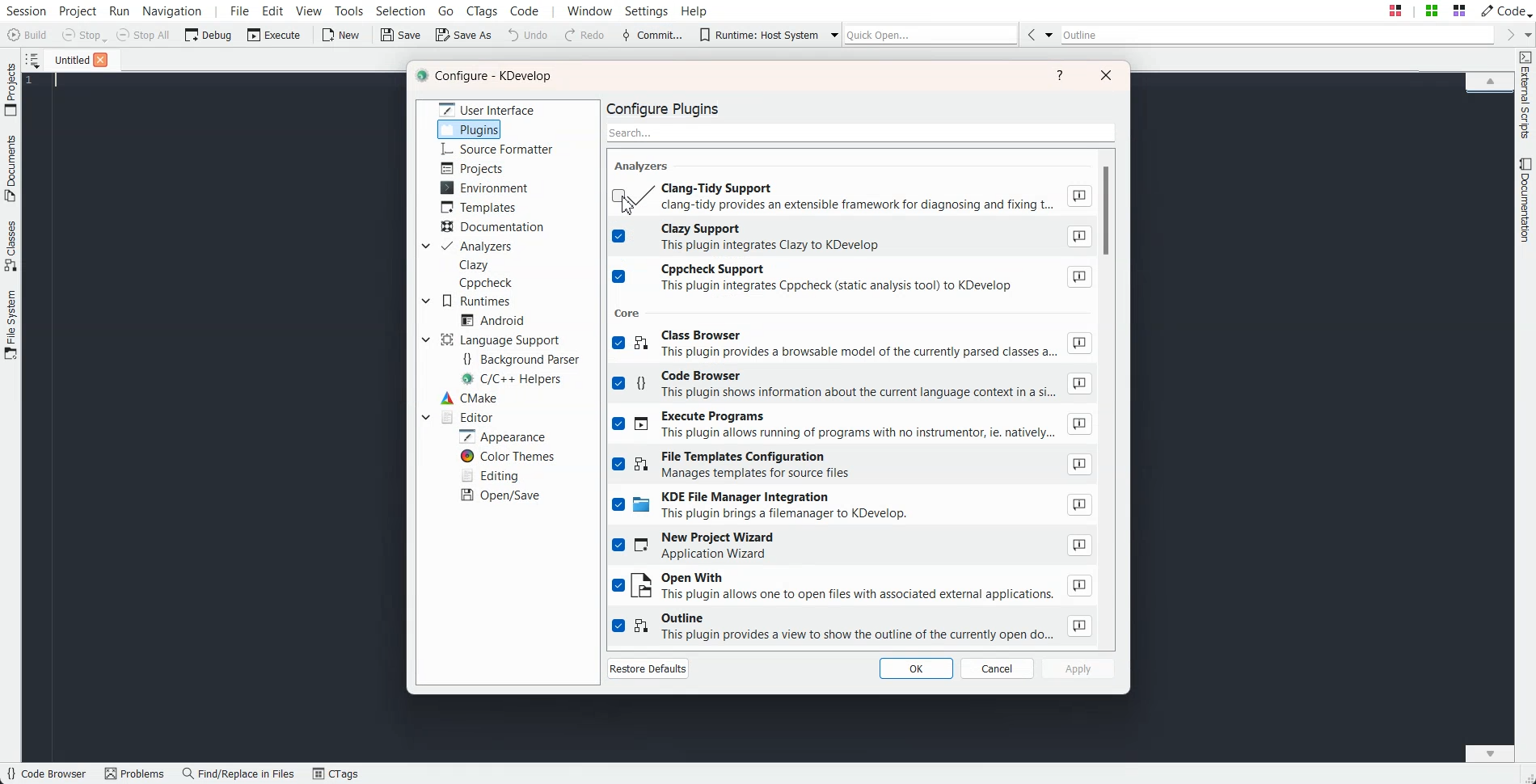 Image resolution: width=1536 pixels, height=784 pixels. I want to click on Environment, so click(484, 188).